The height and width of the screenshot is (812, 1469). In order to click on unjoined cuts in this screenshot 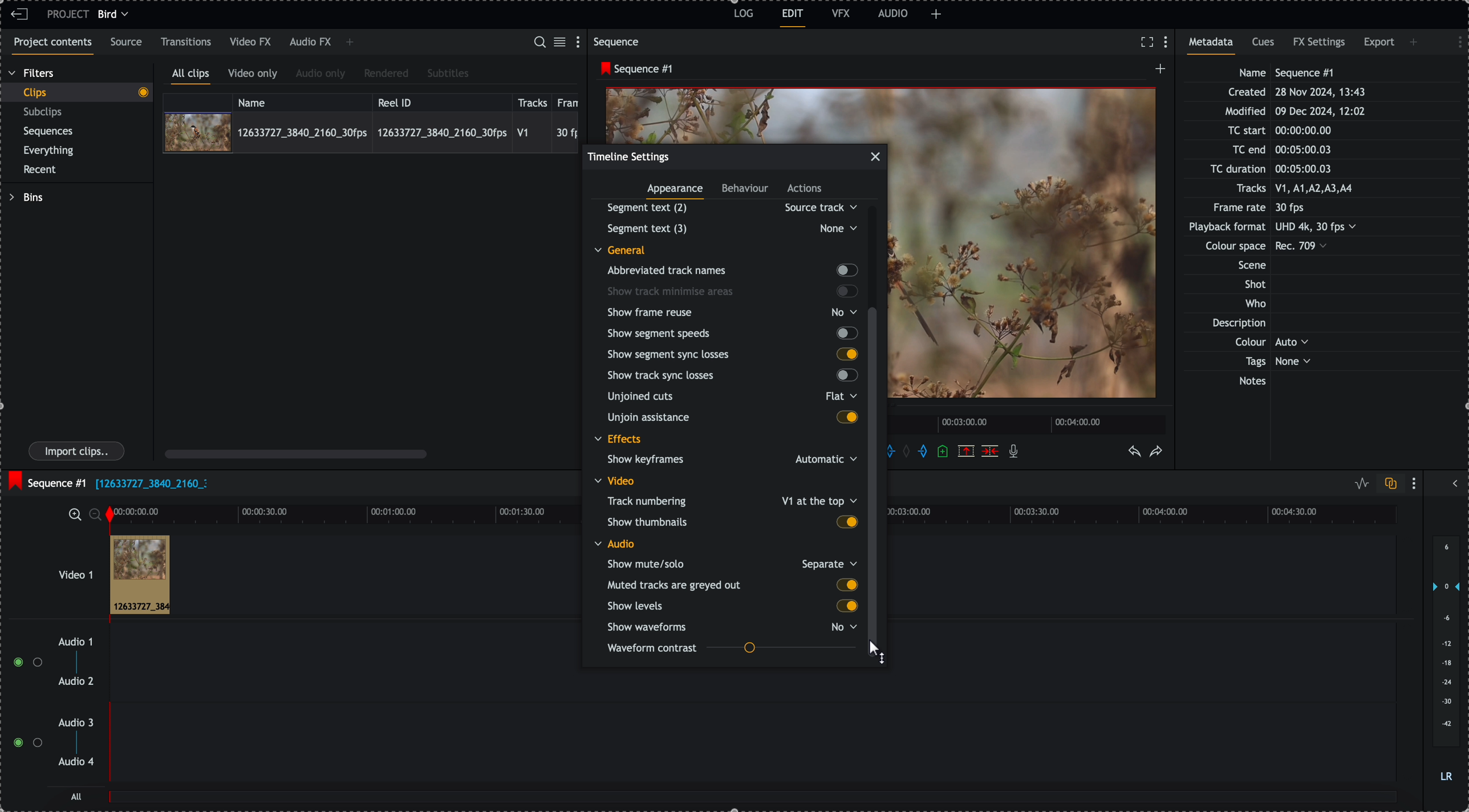, I will do `click(729, 399)`.